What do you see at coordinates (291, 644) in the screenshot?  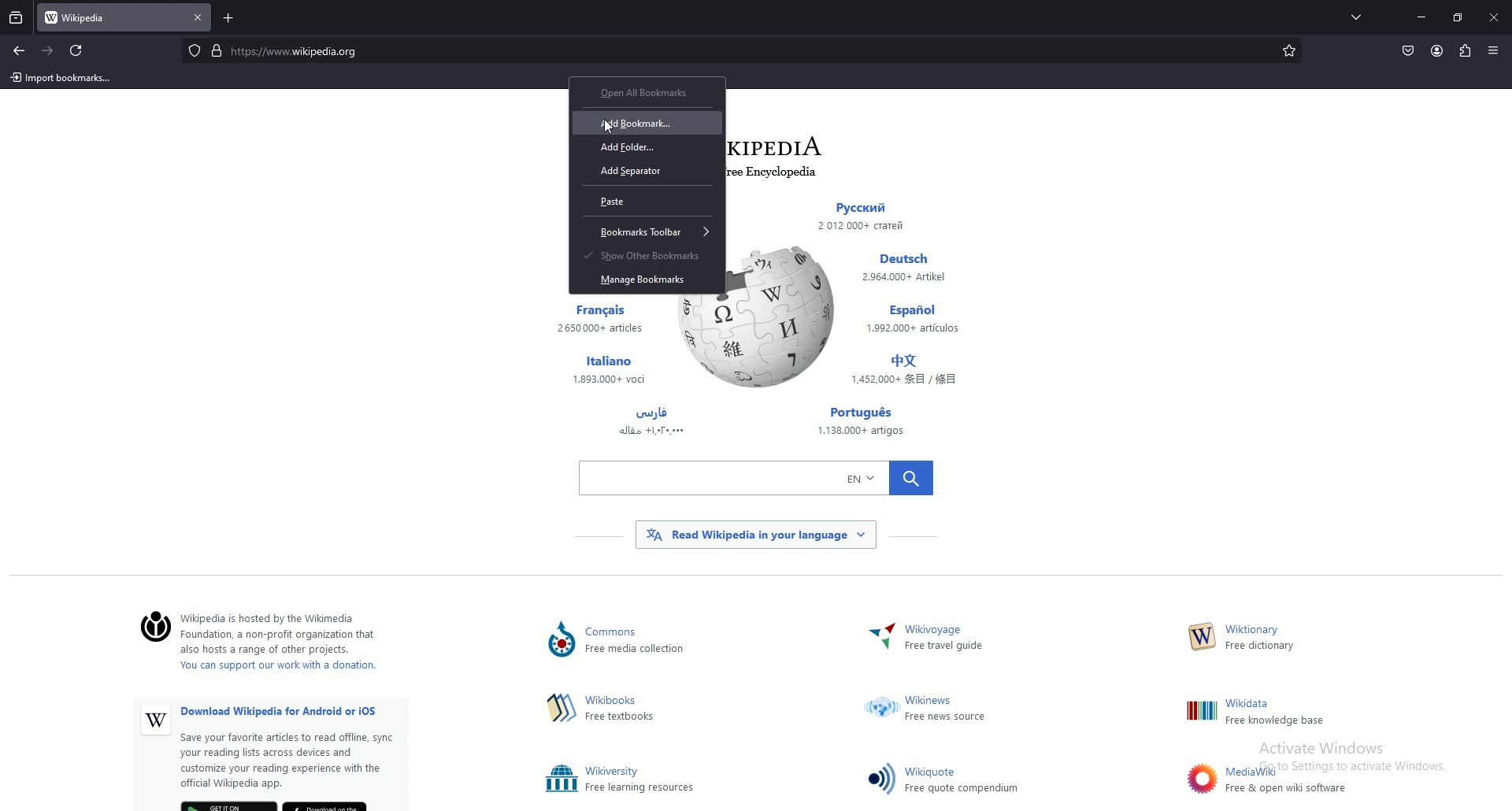 I see `‘Wikipedia is hosted by the Wikimedia

) Foundation, a non-profit organization that
also hosts a range of other projects.
You can support our work with a donation.` at bounding box center [291, 644].